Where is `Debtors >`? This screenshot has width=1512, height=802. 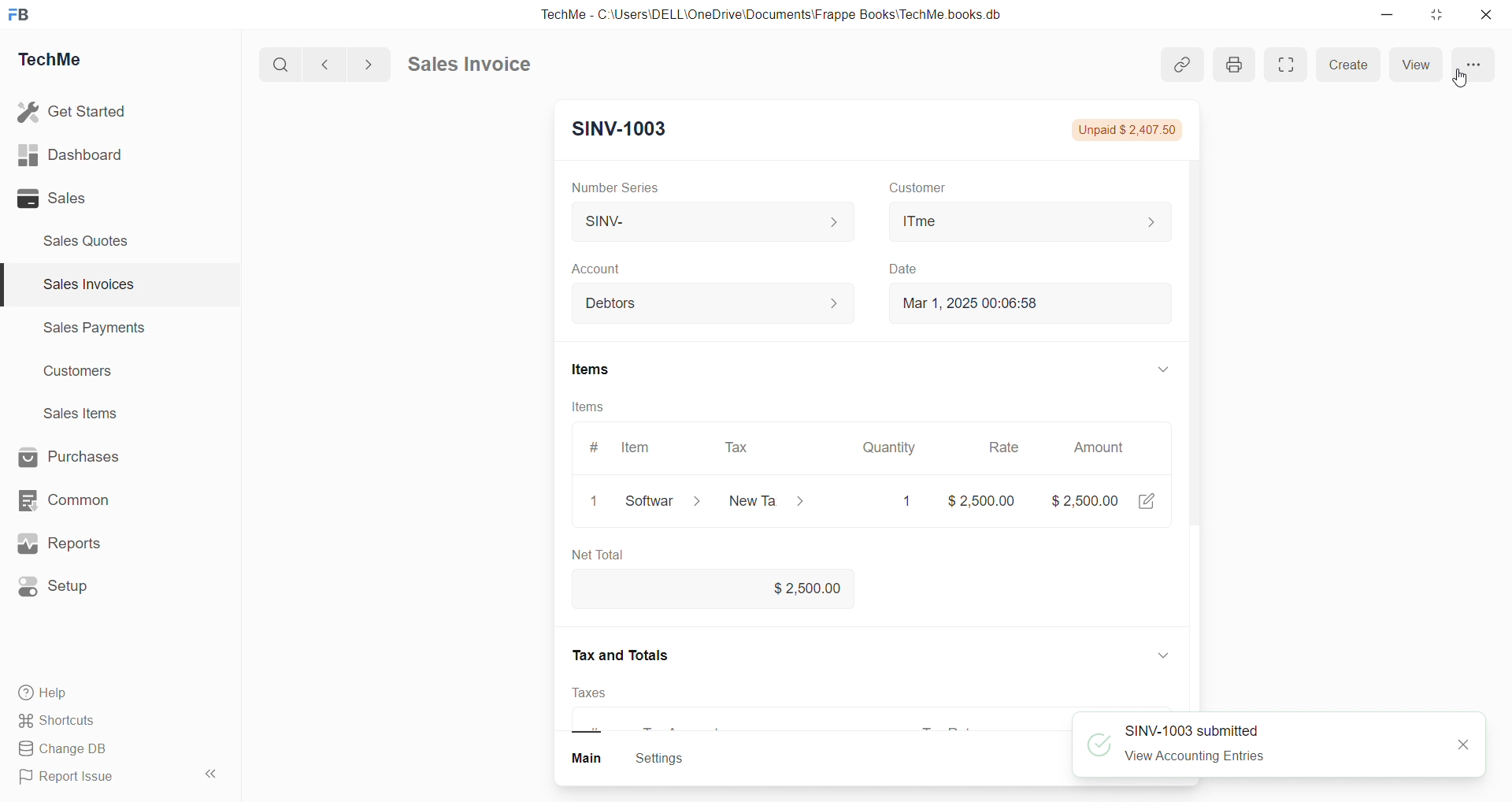
Debtors > is located at coordinates (712, 308).